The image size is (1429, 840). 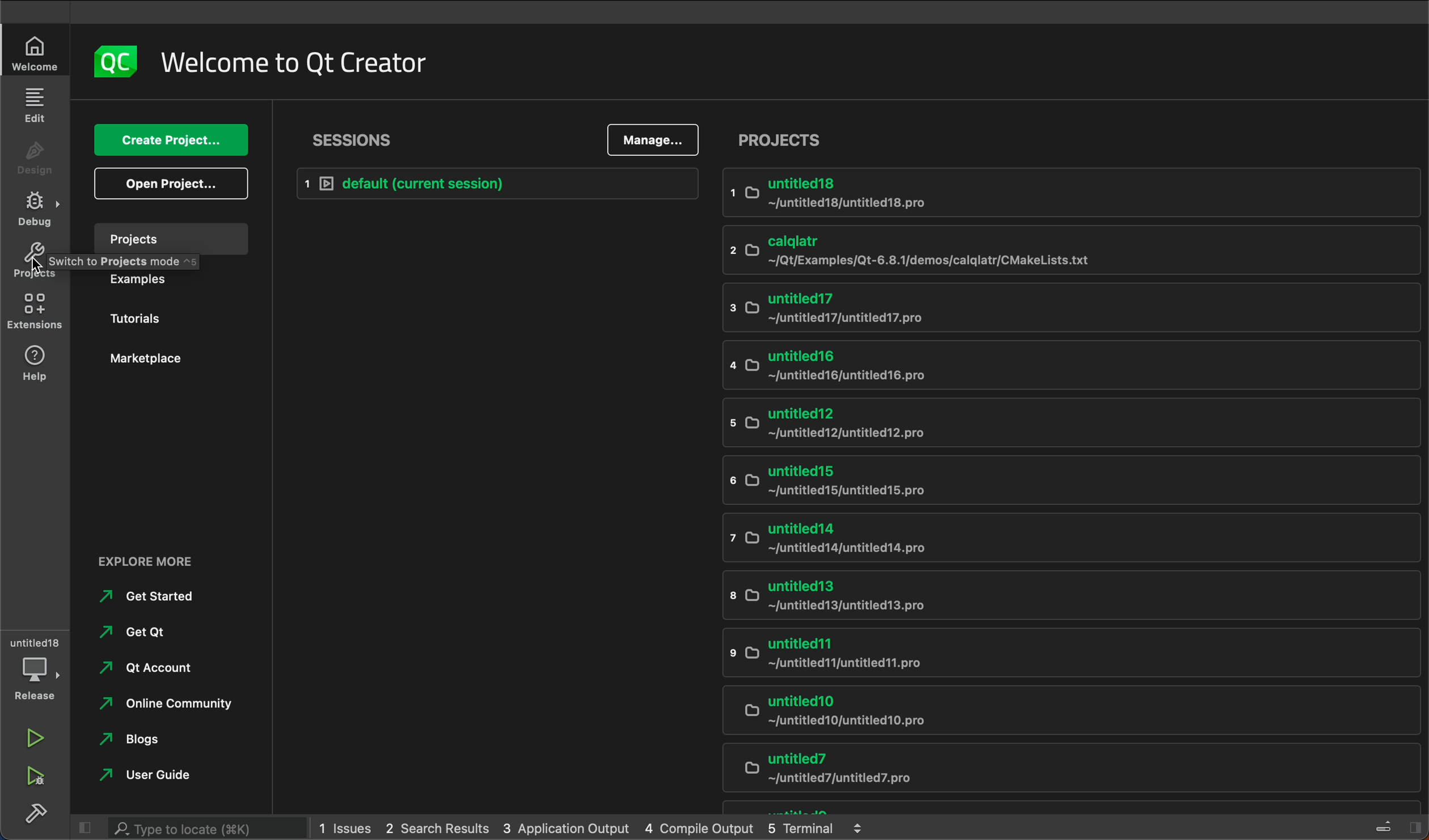 I want to click on blogs, so click(x=139, y=740).